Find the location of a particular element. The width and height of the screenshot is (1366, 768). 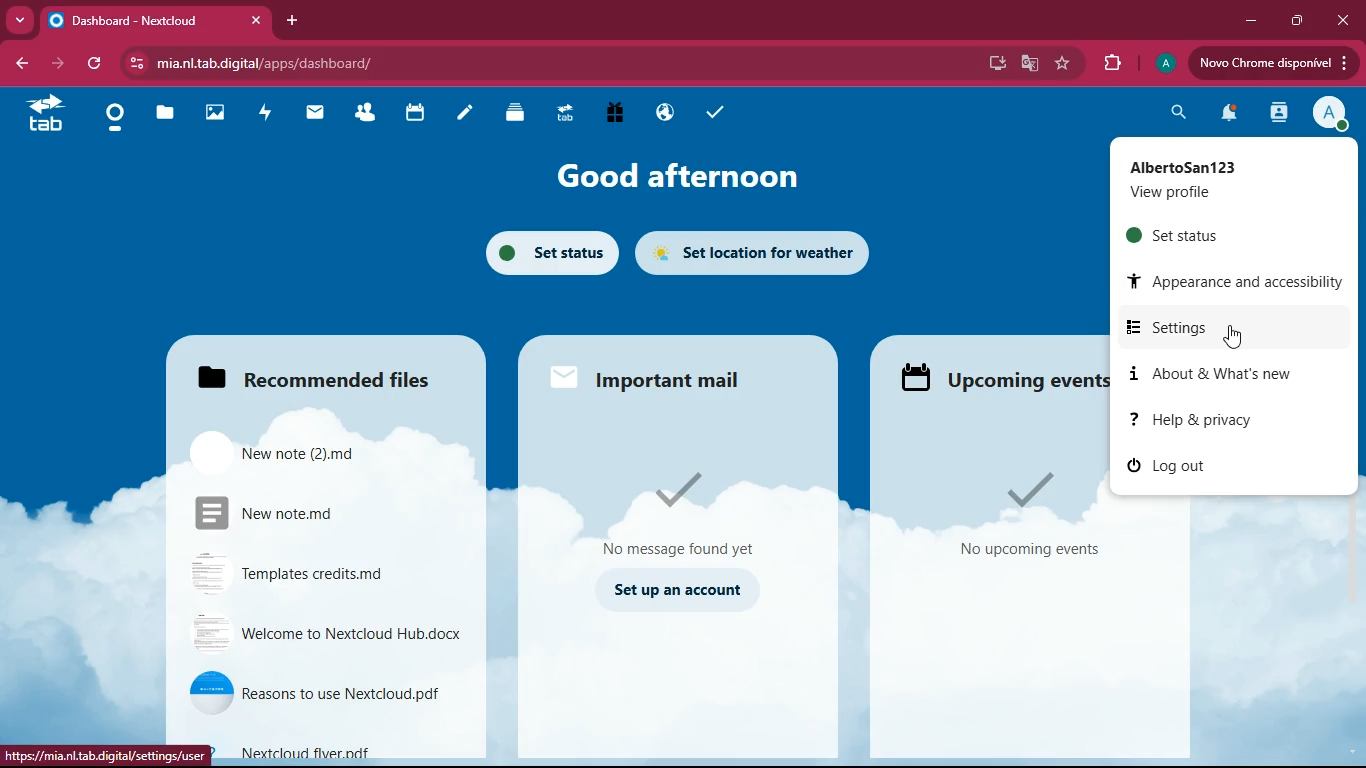

google translate is located at coordinates (1030, 64).